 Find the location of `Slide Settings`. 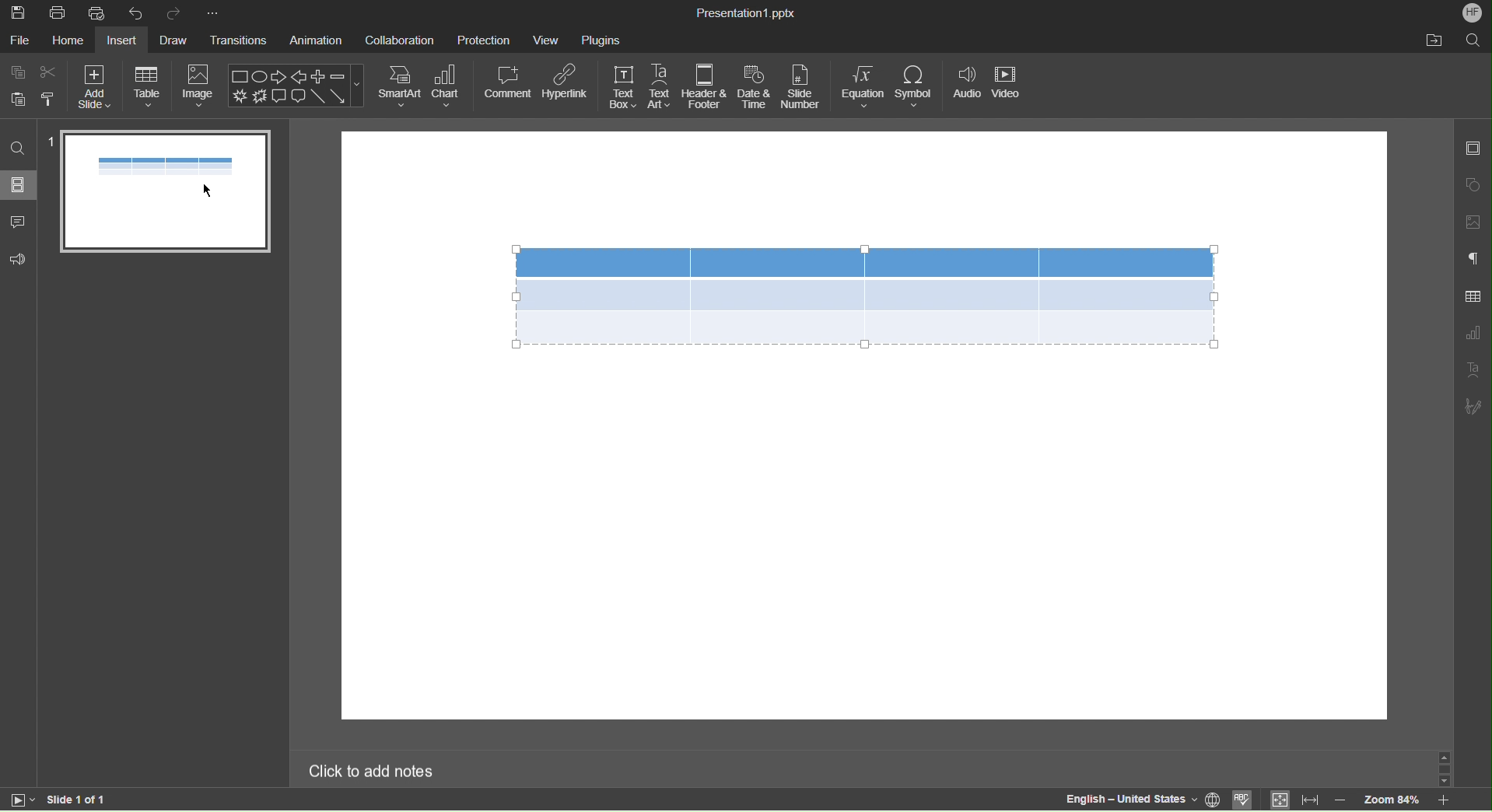

Slide Settings is located at coordinates (1473, 149).